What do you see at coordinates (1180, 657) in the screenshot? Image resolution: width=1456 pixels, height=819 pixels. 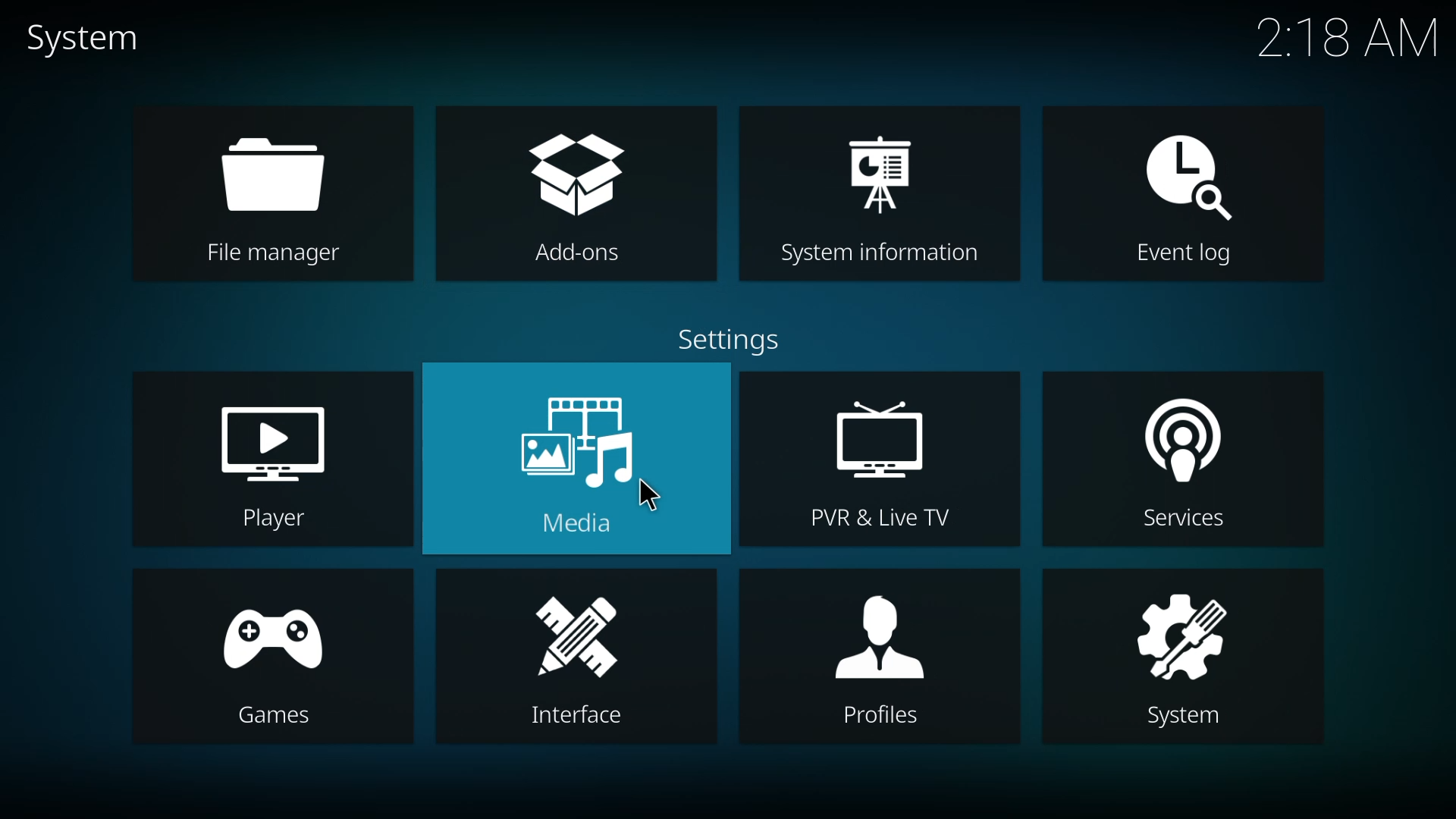 I see `system` at bounding box center [1180, 657].